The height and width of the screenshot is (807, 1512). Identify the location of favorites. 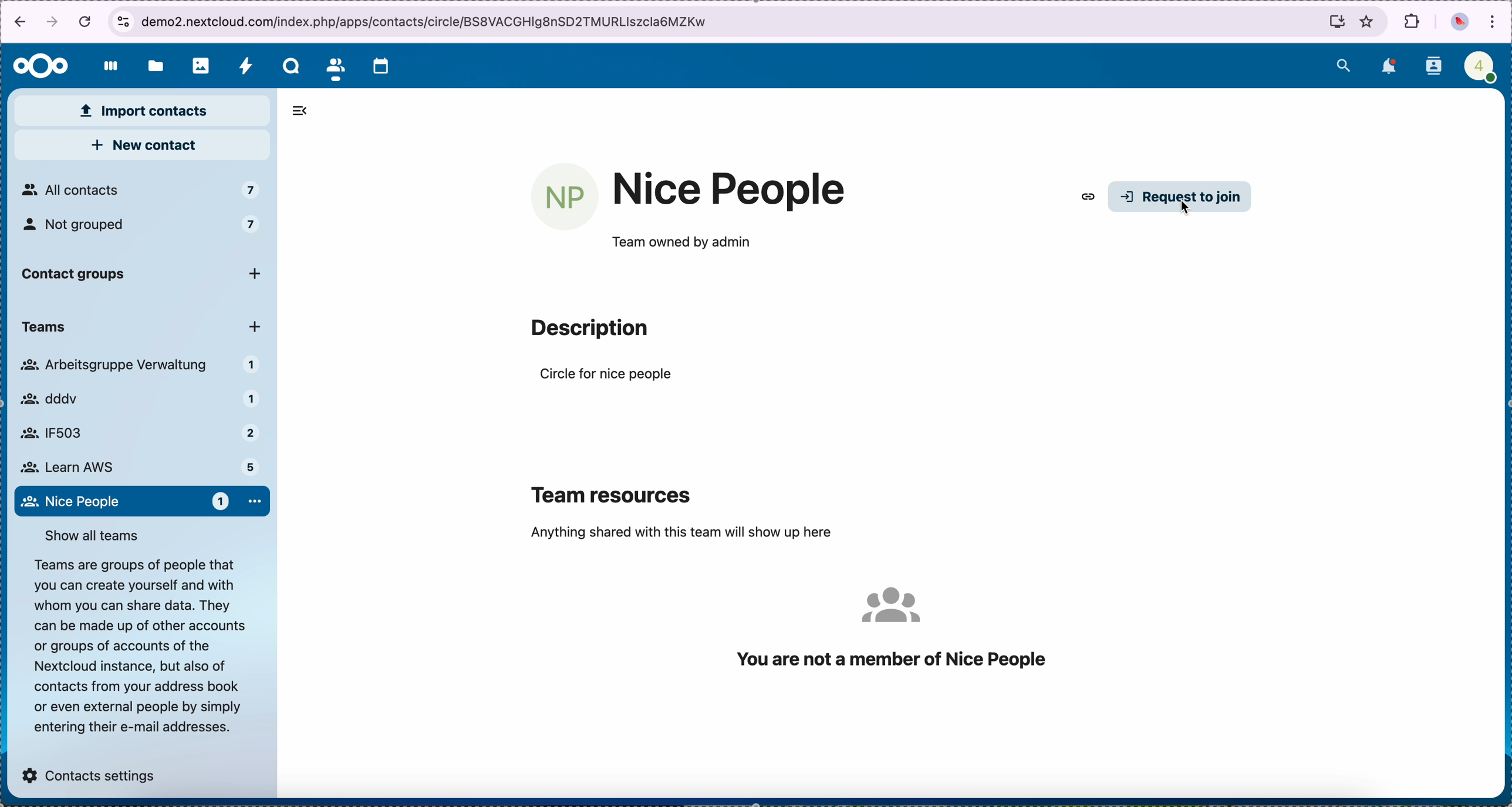
(1368, 21).